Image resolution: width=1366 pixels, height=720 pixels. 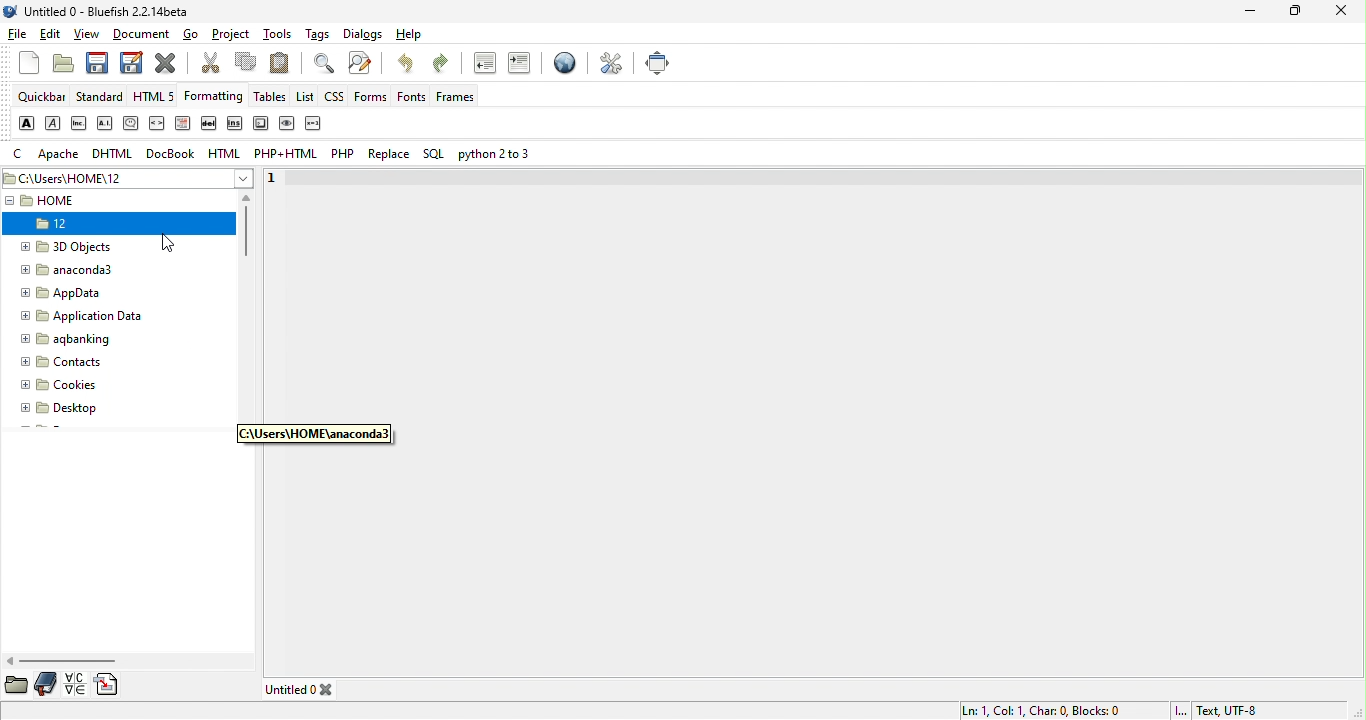 I want to click on save, so click(x=98, y=66).